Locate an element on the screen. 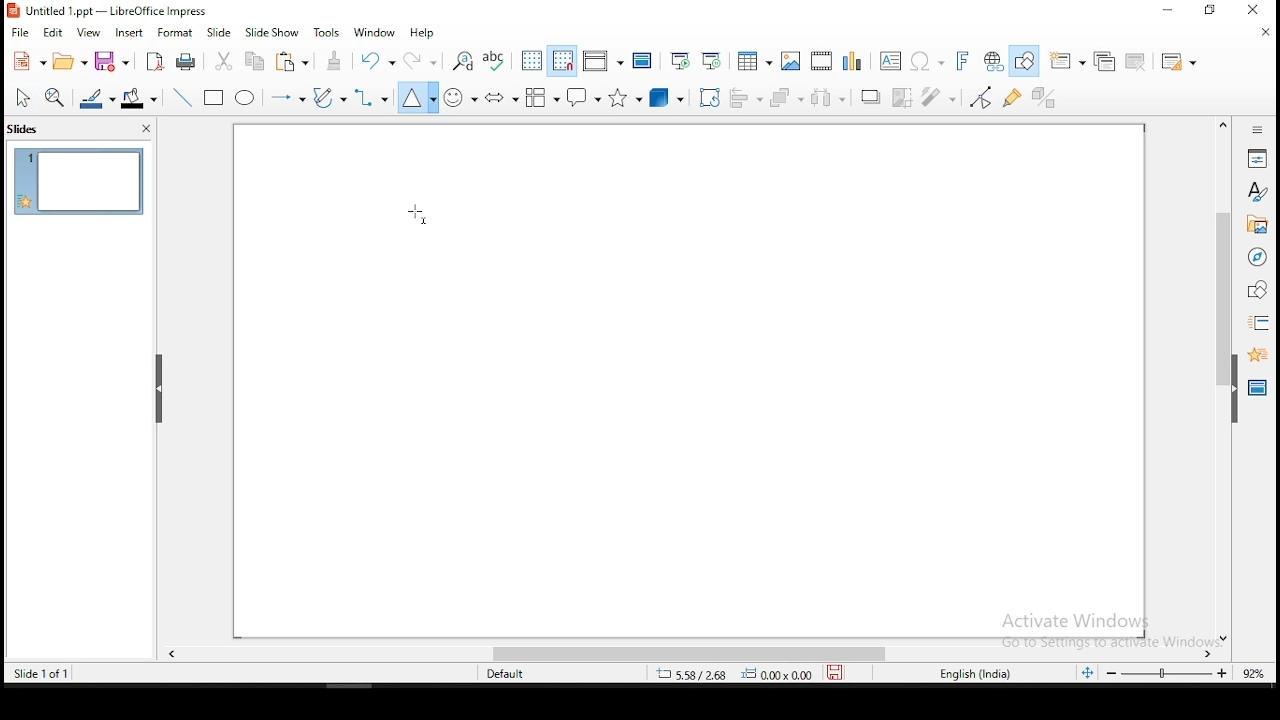 This screenshot has height=720, width=1280. lines and arrows is located at coordinates (290, 99).